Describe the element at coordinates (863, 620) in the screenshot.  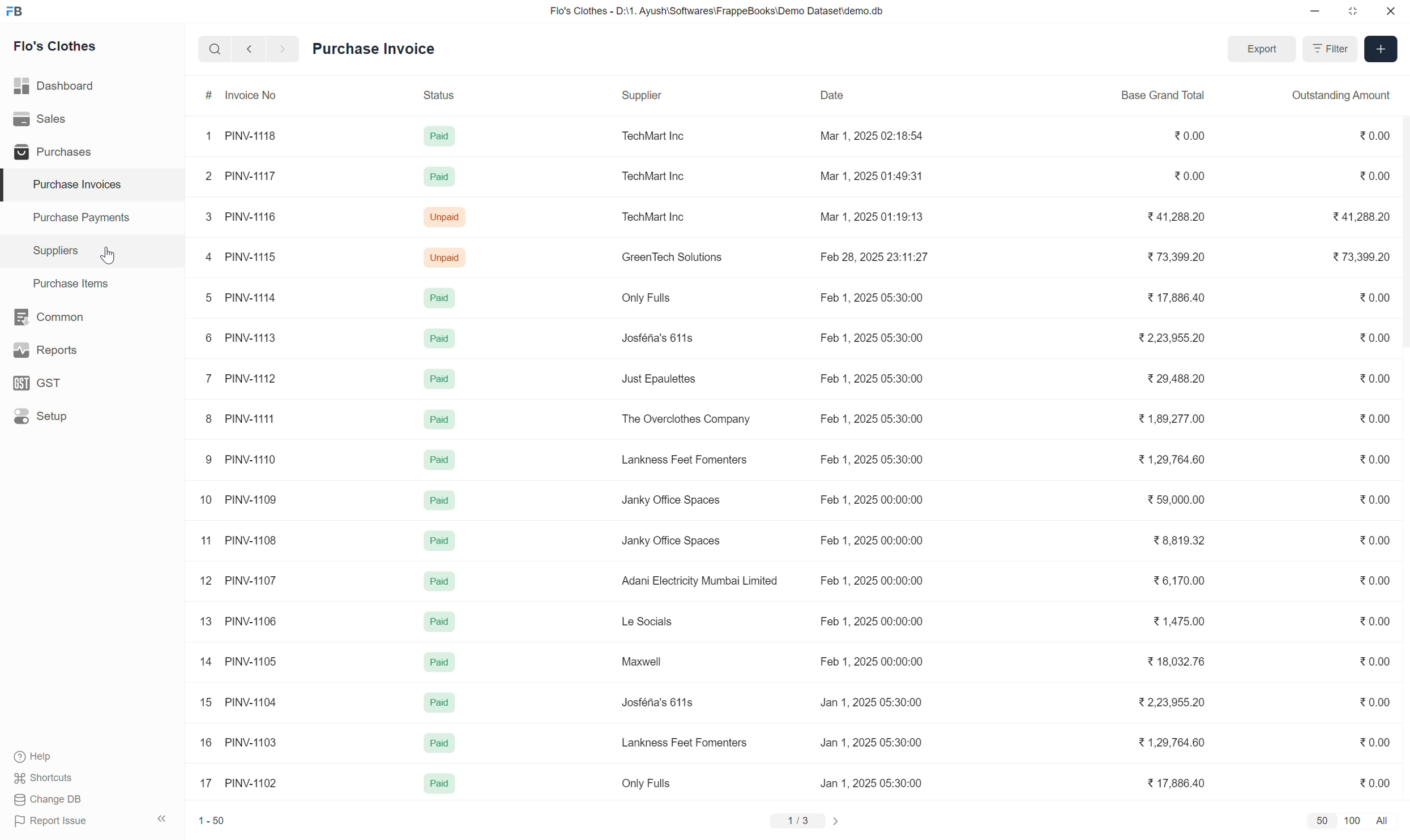
I see `Feb 1, 2025 00:00:00` at that location.